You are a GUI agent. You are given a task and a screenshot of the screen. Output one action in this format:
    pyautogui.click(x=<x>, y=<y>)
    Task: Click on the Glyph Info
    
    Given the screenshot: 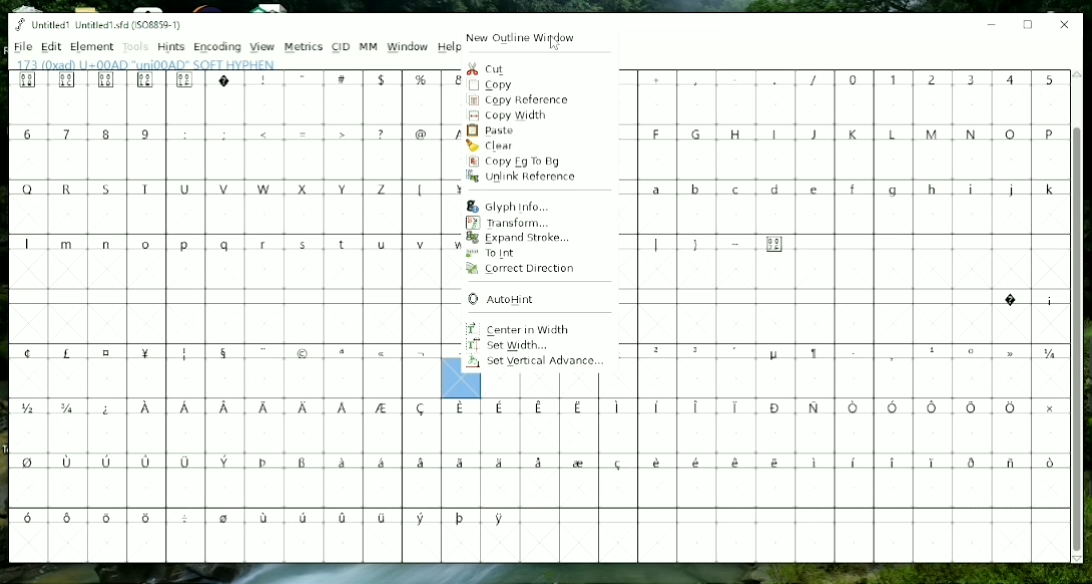 What is the action you would take?
    pyautogui.click(x=515, y=206)
    